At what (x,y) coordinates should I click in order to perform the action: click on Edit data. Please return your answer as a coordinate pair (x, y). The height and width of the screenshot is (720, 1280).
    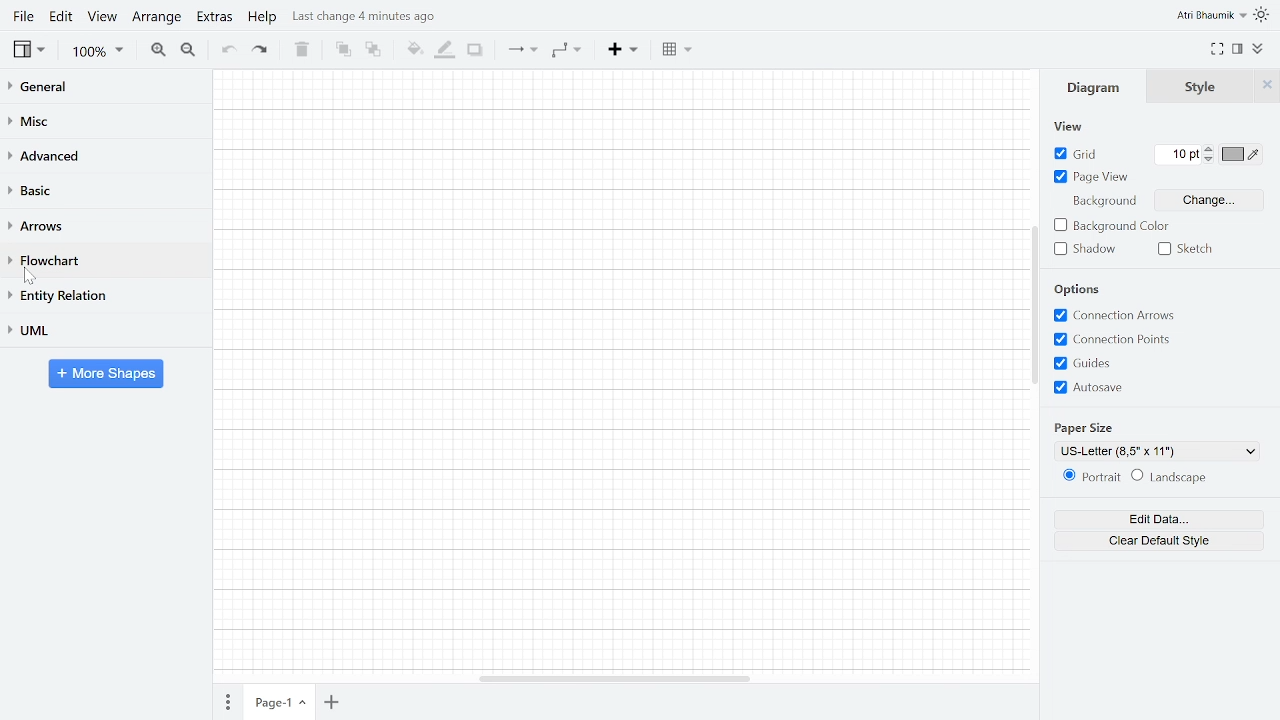
    Looking at the image, I should click on (1164, 519).